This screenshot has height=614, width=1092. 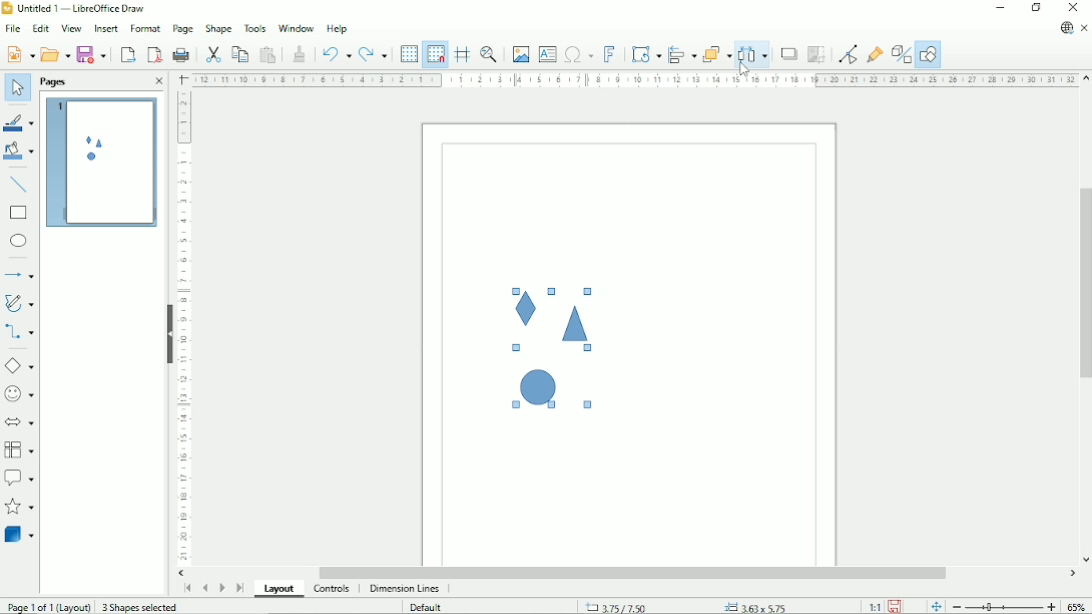 I want to click on Clone formatting, so click(x=300, y=53).